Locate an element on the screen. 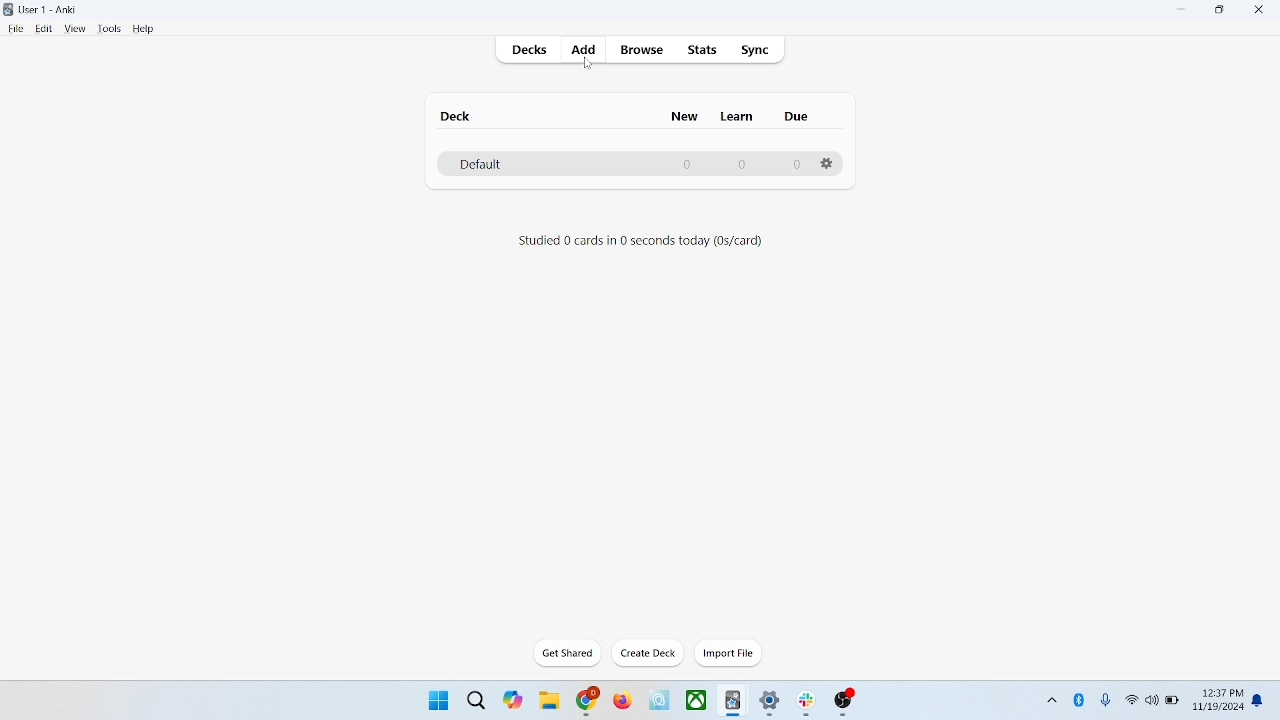  icon is located at coordinates (810, 704).